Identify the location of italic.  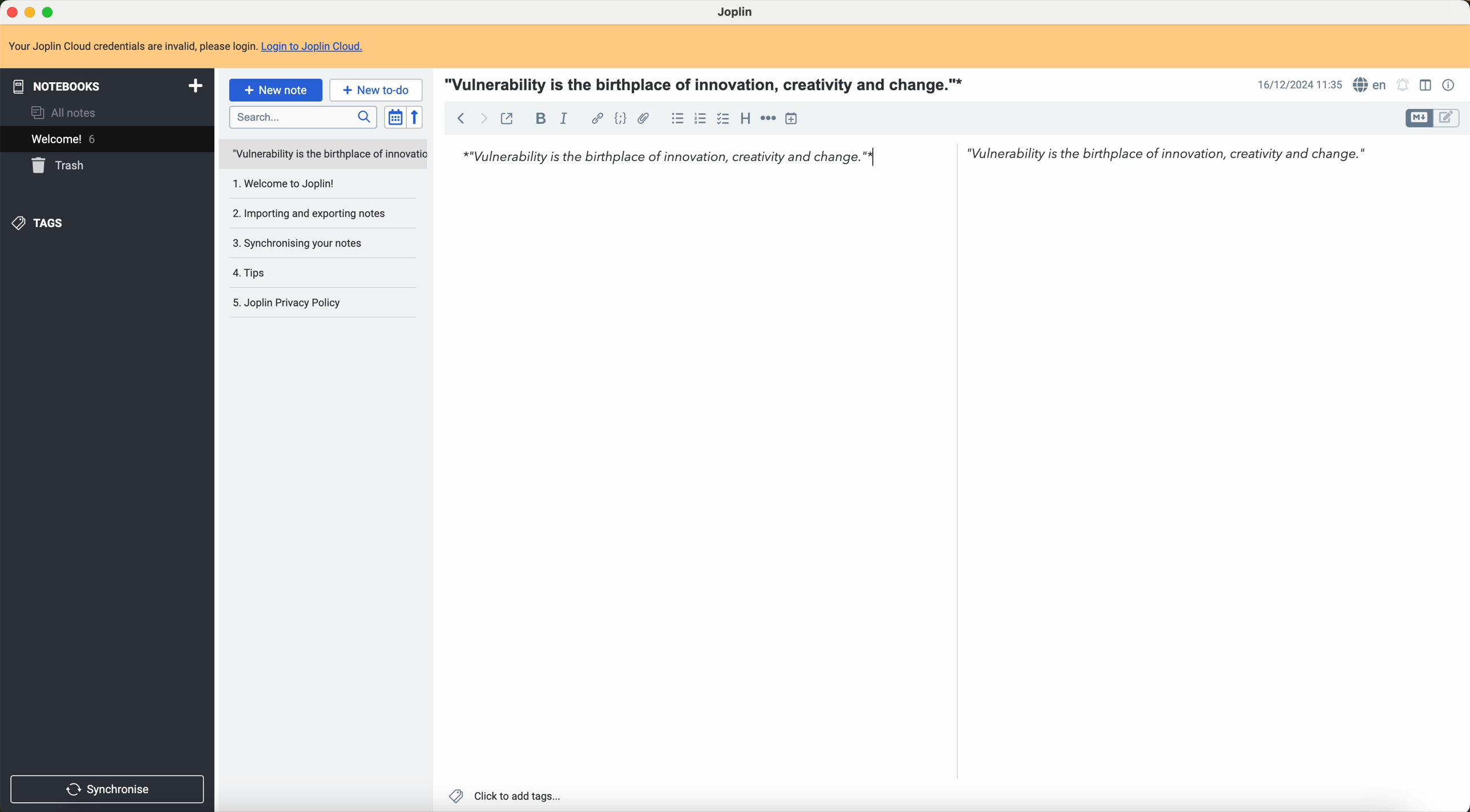
(565, 116).